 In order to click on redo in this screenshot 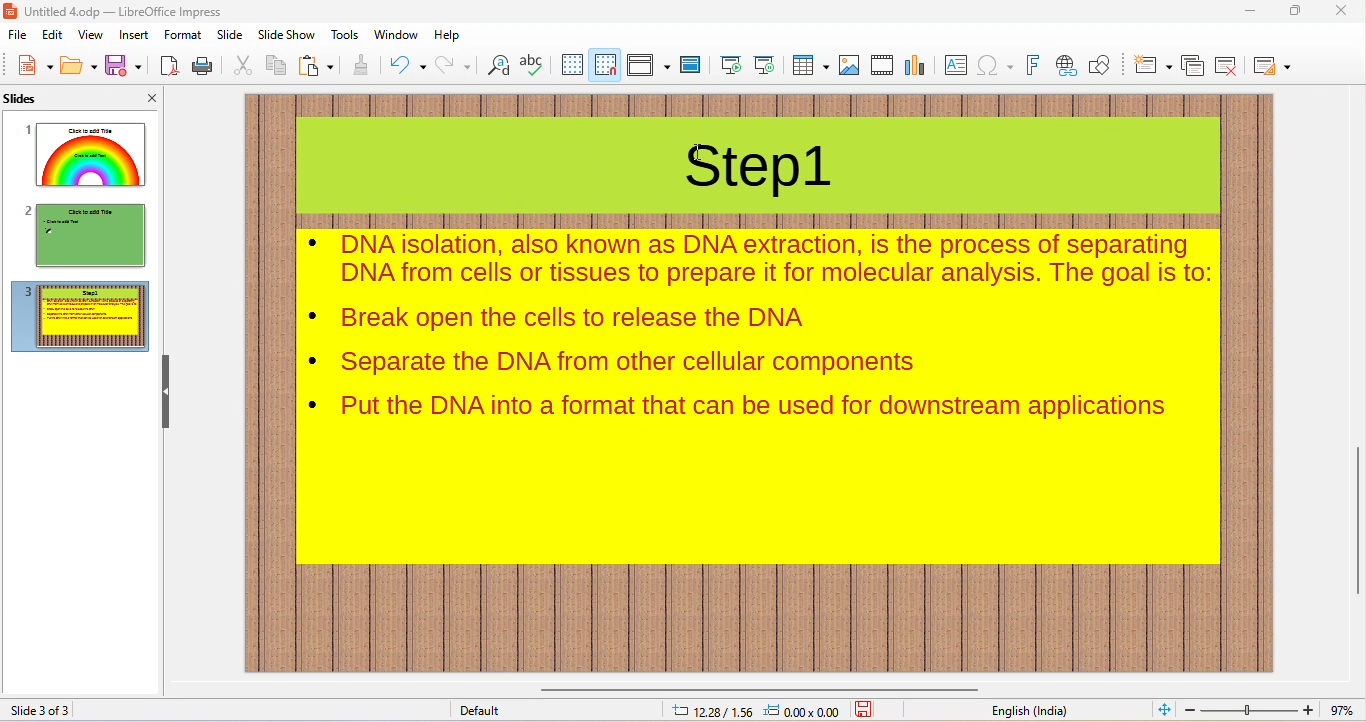, I will do `click(456, 65)`.